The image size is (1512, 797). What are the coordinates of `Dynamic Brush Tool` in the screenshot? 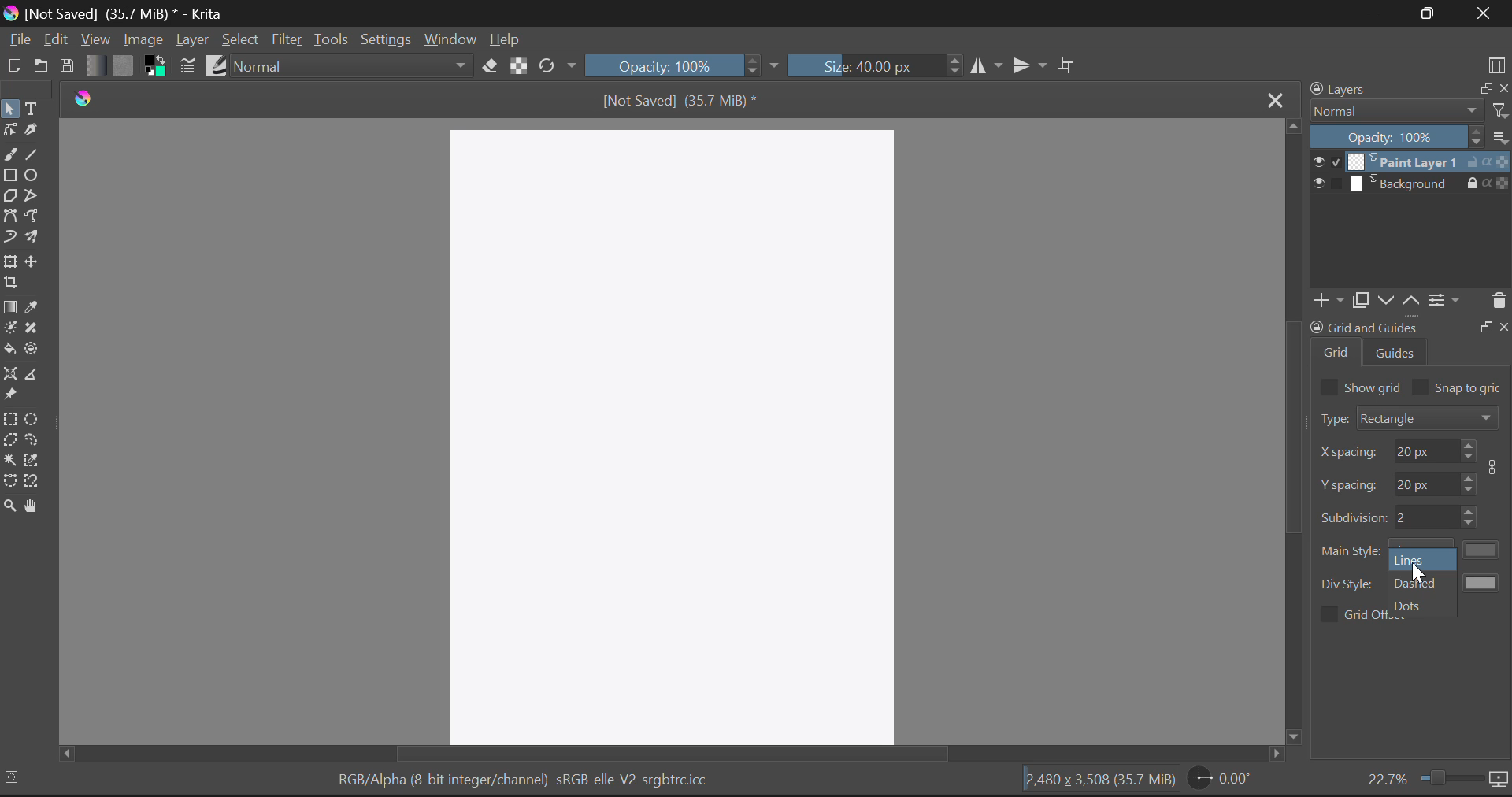 It's located at (9, 241).